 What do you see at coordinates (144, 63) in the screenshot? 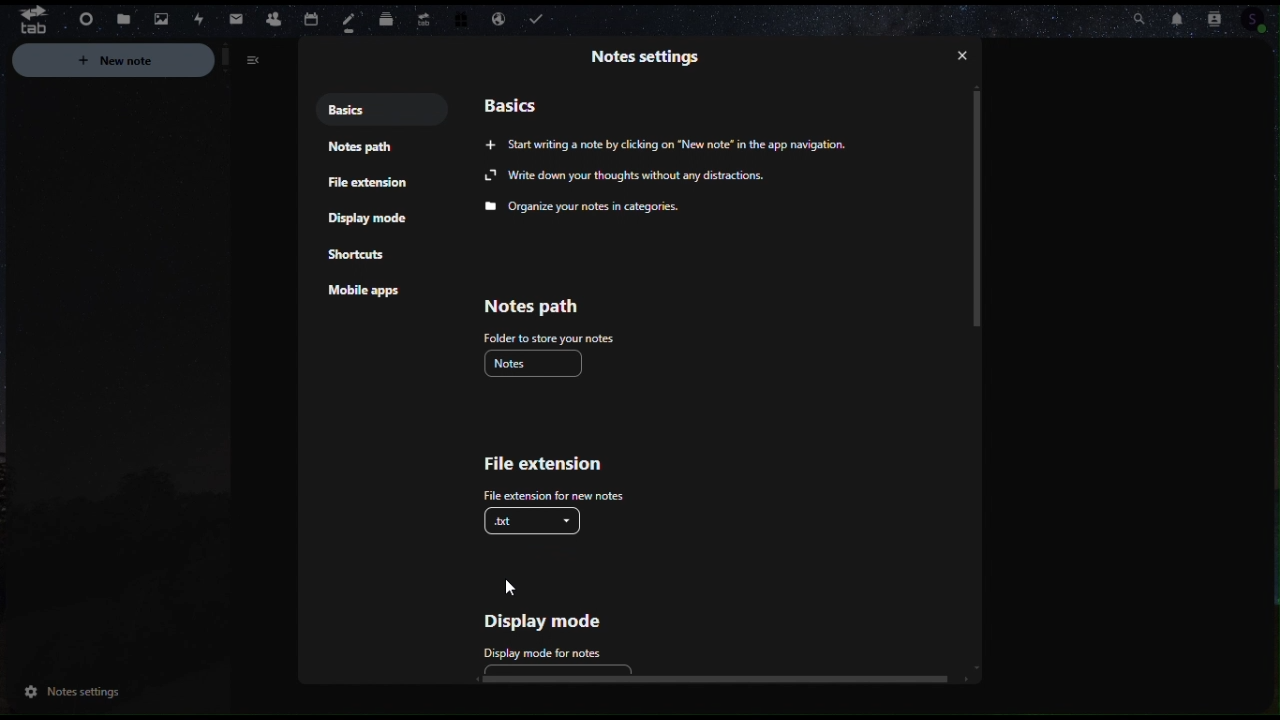
I see `New notes notes setting` at bounding box center [144, 63].